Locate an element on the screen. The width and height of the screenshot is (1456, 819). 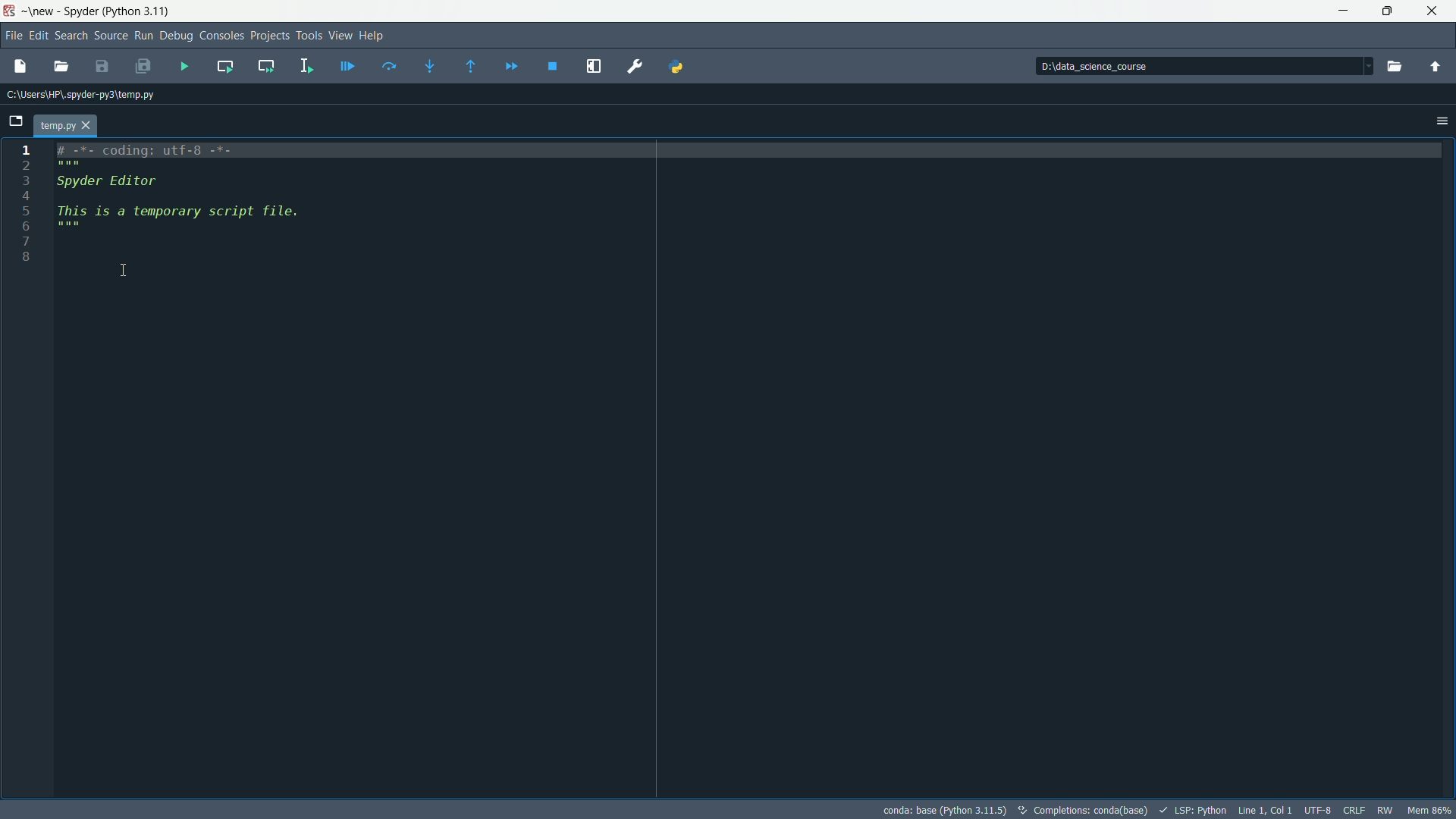
file eol status is located at coordinates (1355, 810).